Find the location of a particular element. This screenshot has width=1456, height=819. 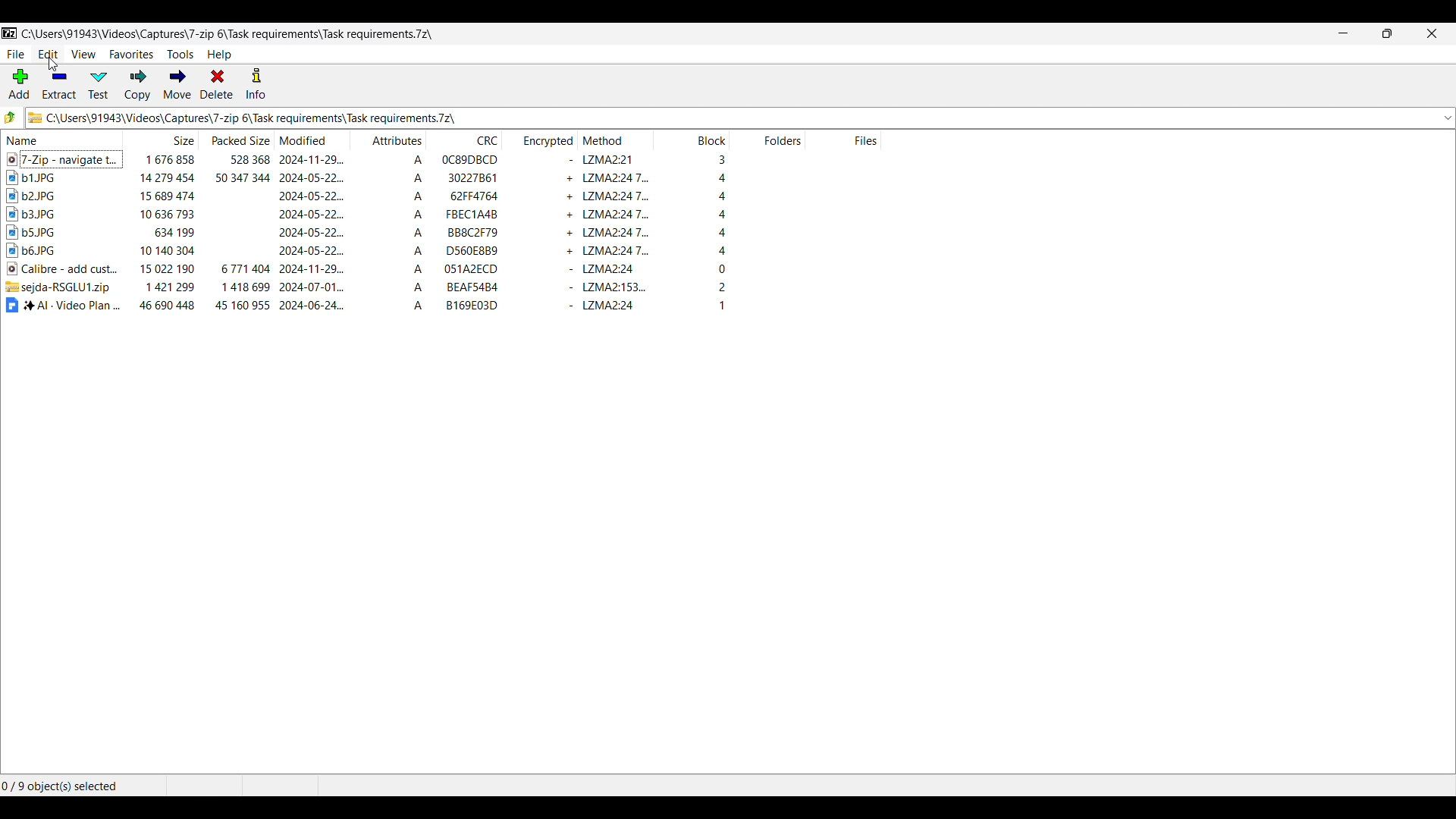

image 3 is located at coordinates (45, 214).